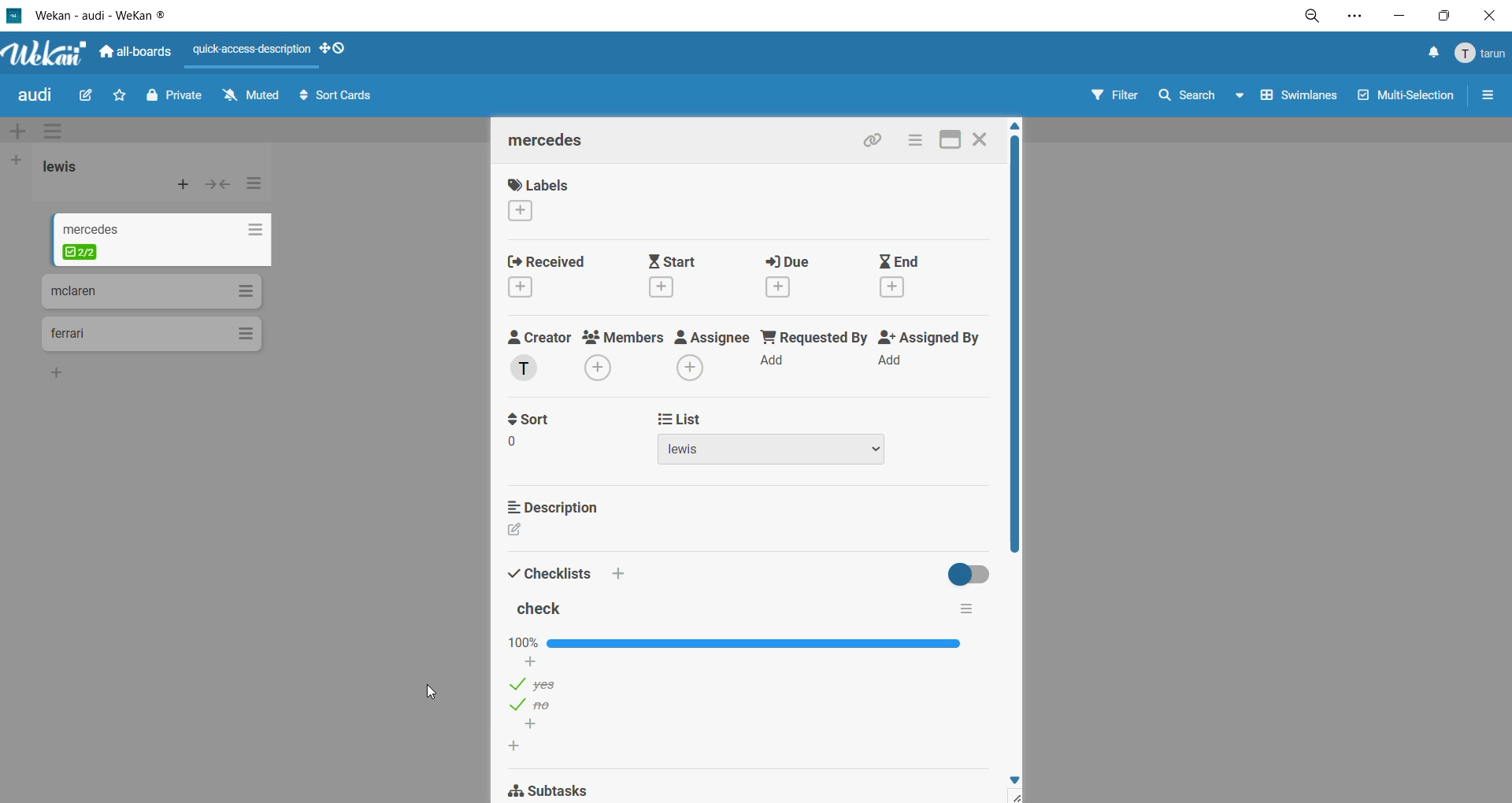  What do you see at coordinates (950, 142) in the screenshot?
I see `maximize` at bounding box center [950, 142].